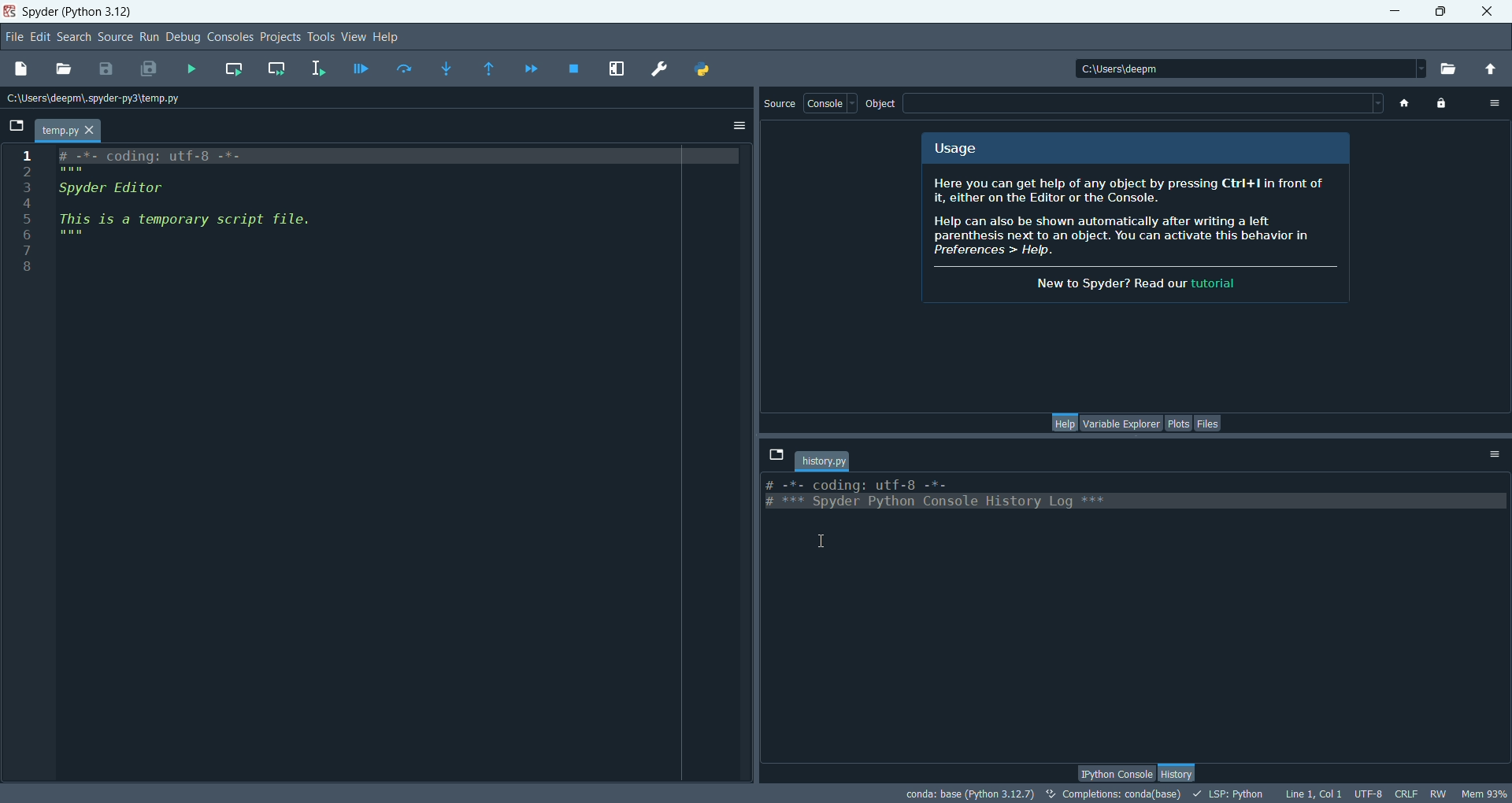 The width and height of the screenshot is (1512, 803). What do you see at coordinates (1121, 424) in the screenshot?
I see `variable explorer` at bounding box center [1121, 424].